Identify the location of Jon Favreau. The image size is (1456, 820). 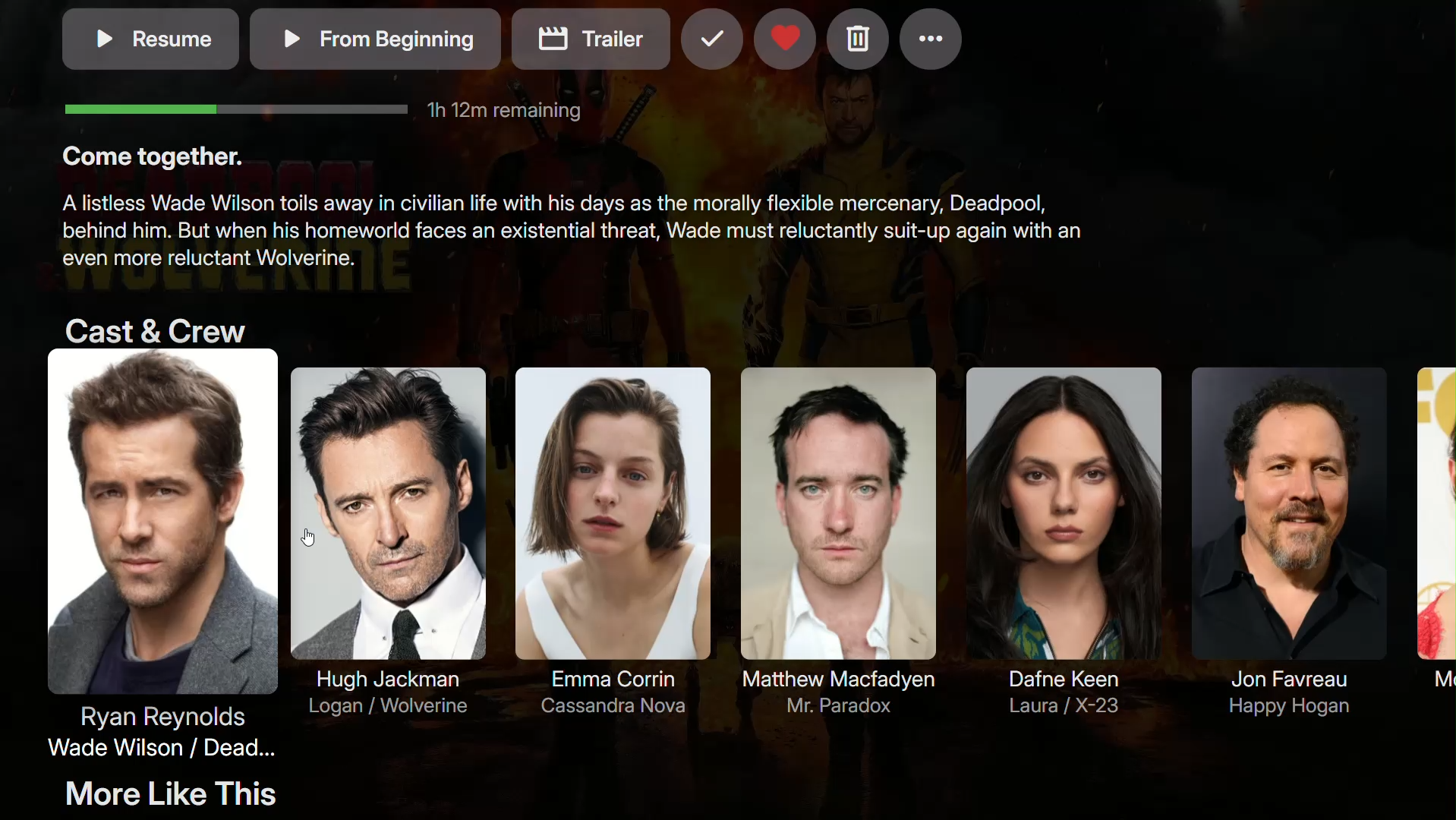
(1281, 539).